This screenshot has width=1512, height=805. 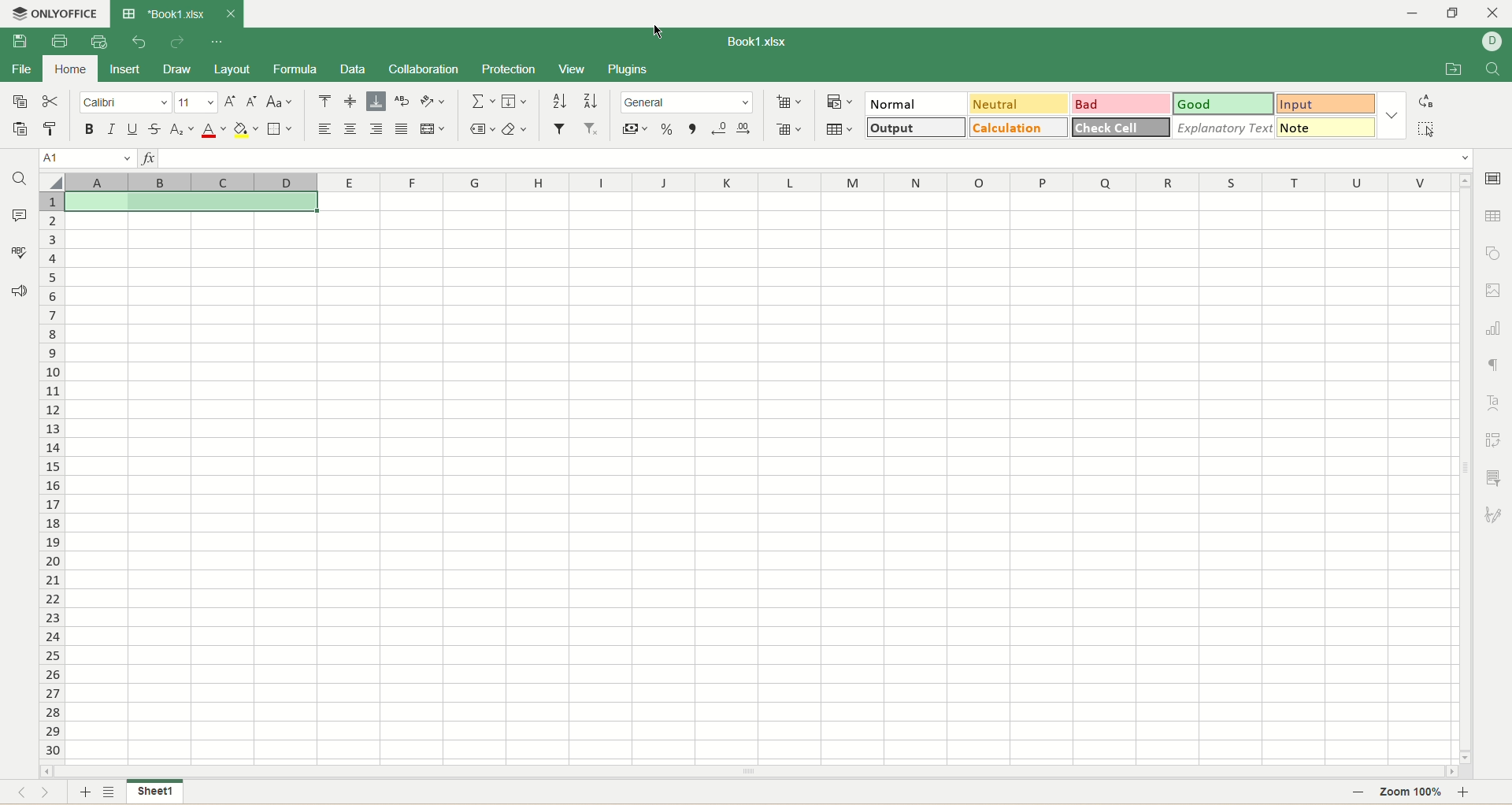 What do you see at coordinates (431, 101) in the screenshot?
I see `orientation` at bounding box center [431, 101].